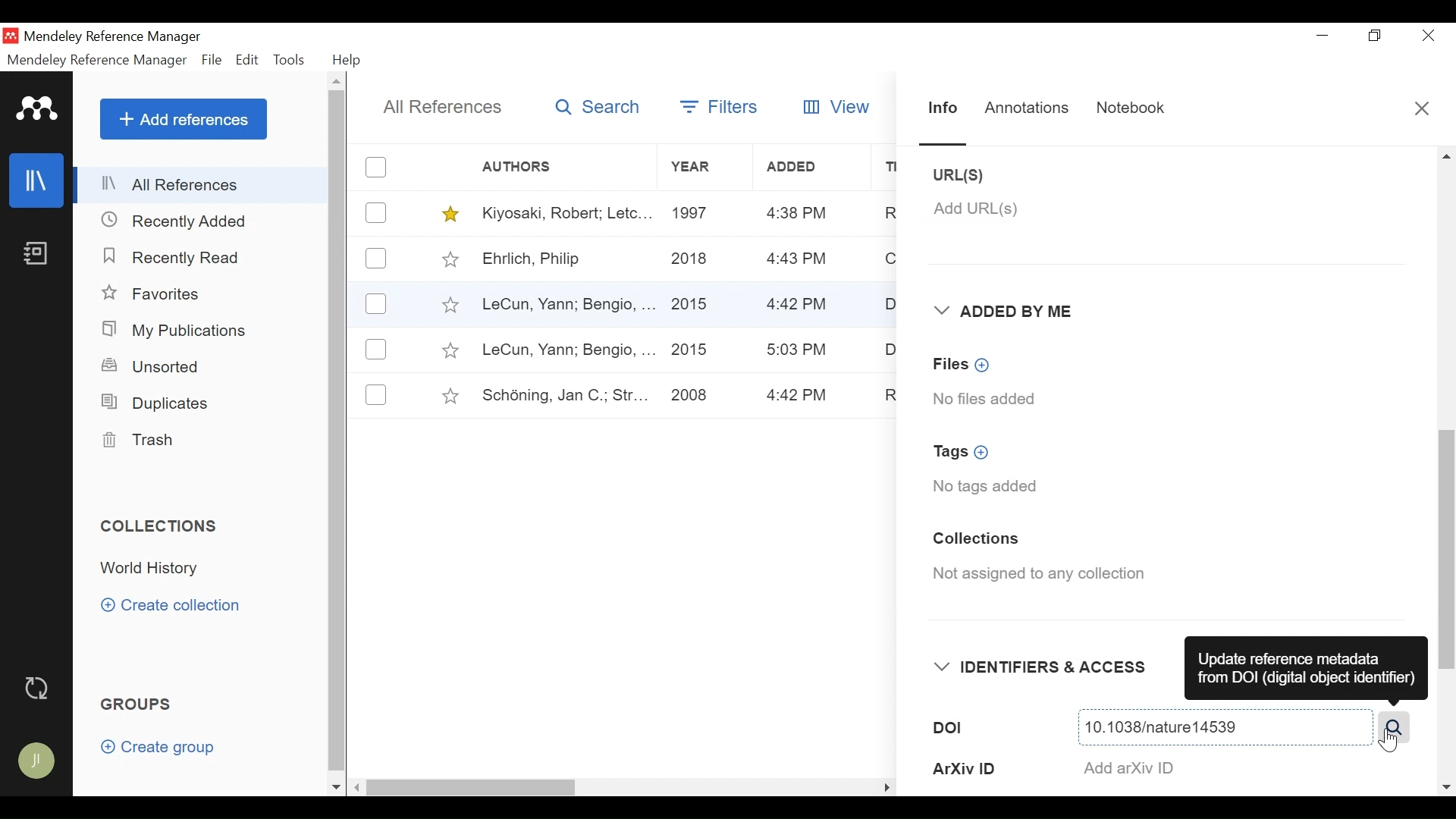 The height and width of the screenshot is (819, 1456). What do you see at coordinates (12, 36) in the screenshot?
I see `Mendeley Desktop Icon` at bounding box center [12, 36].